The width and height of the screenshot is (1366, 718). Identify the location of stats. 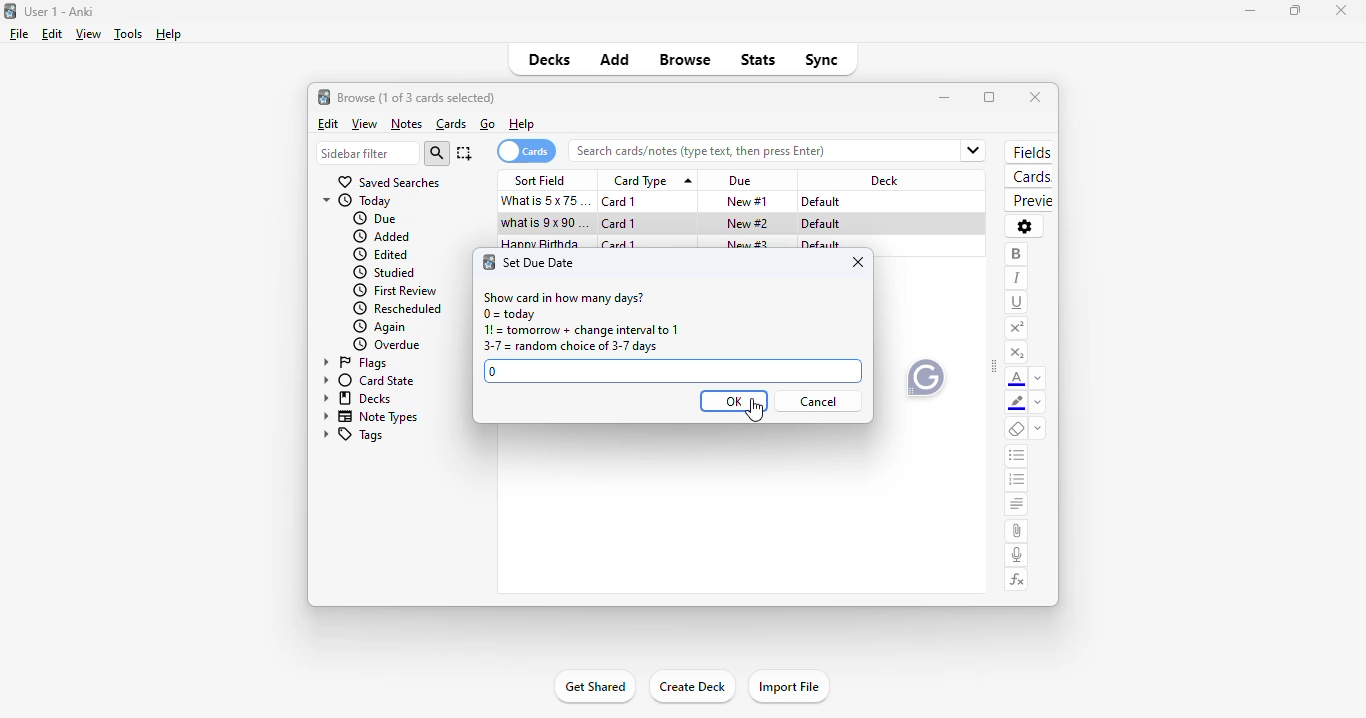
(758, 60).